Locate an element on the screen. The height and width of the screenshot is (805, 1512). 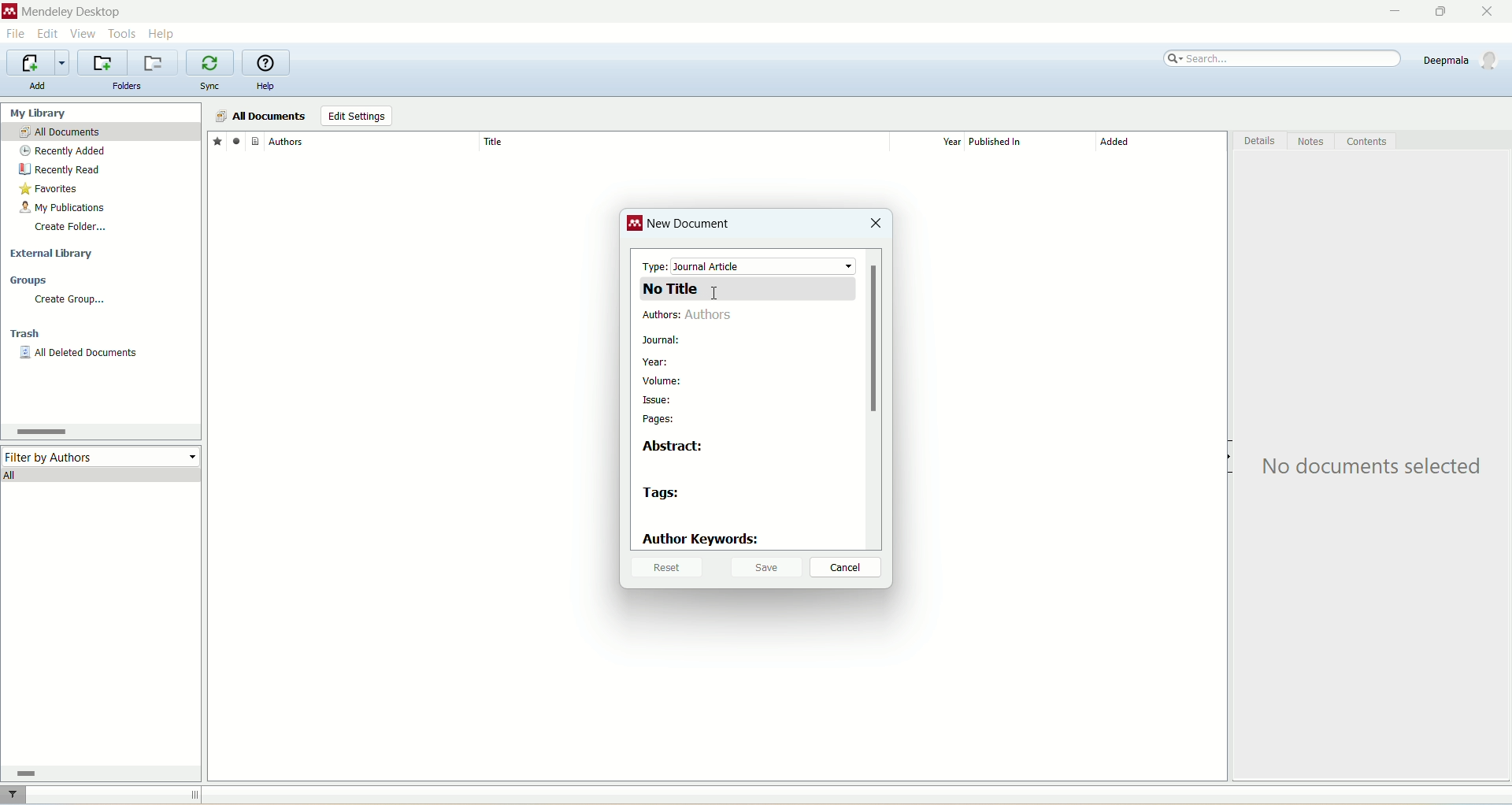
remove current folder is located at coordinates (155, 62).